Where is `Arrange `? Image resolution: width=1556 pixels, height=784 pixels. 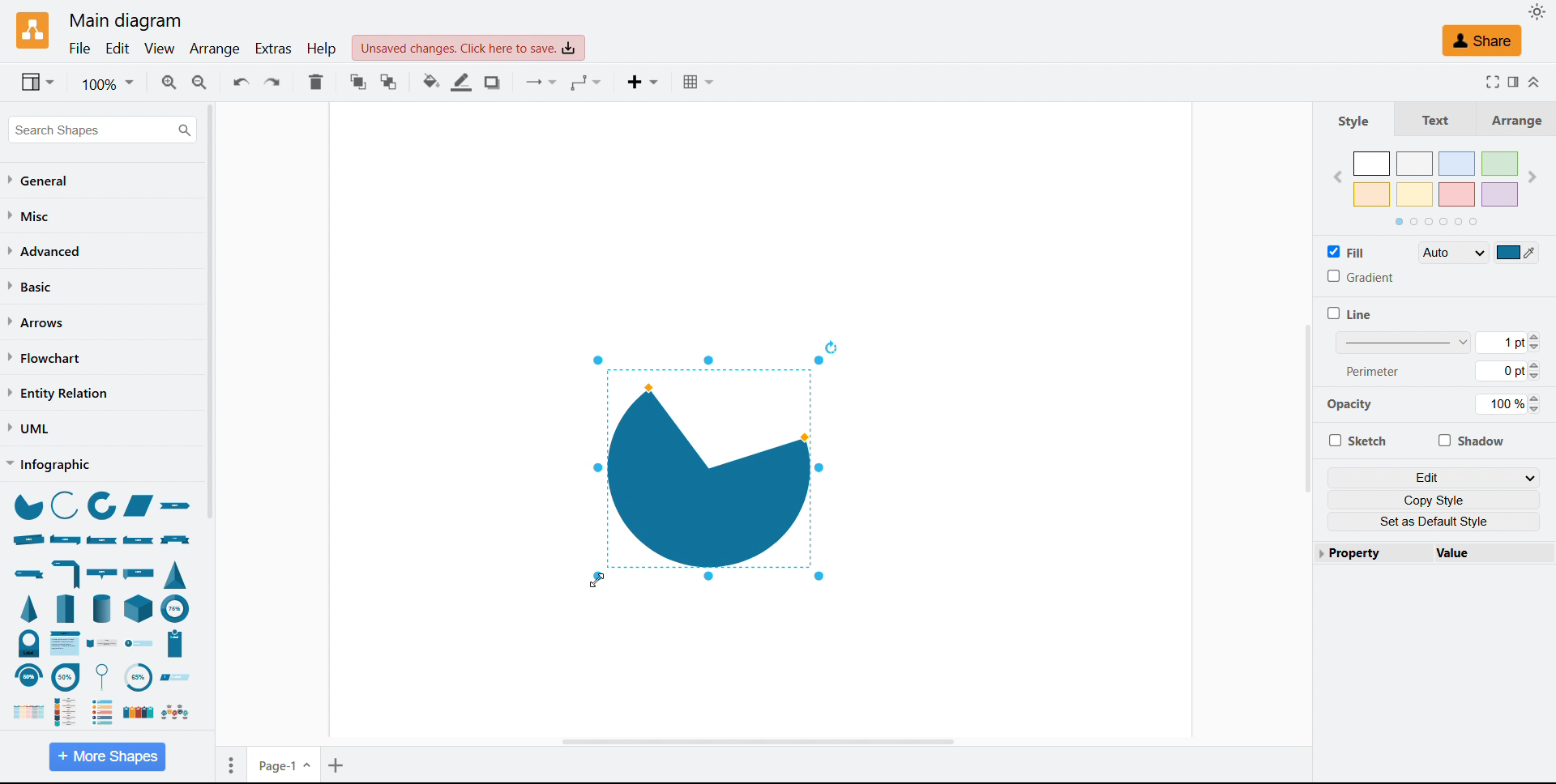
Arrange  is located at coordinates (216, 50).